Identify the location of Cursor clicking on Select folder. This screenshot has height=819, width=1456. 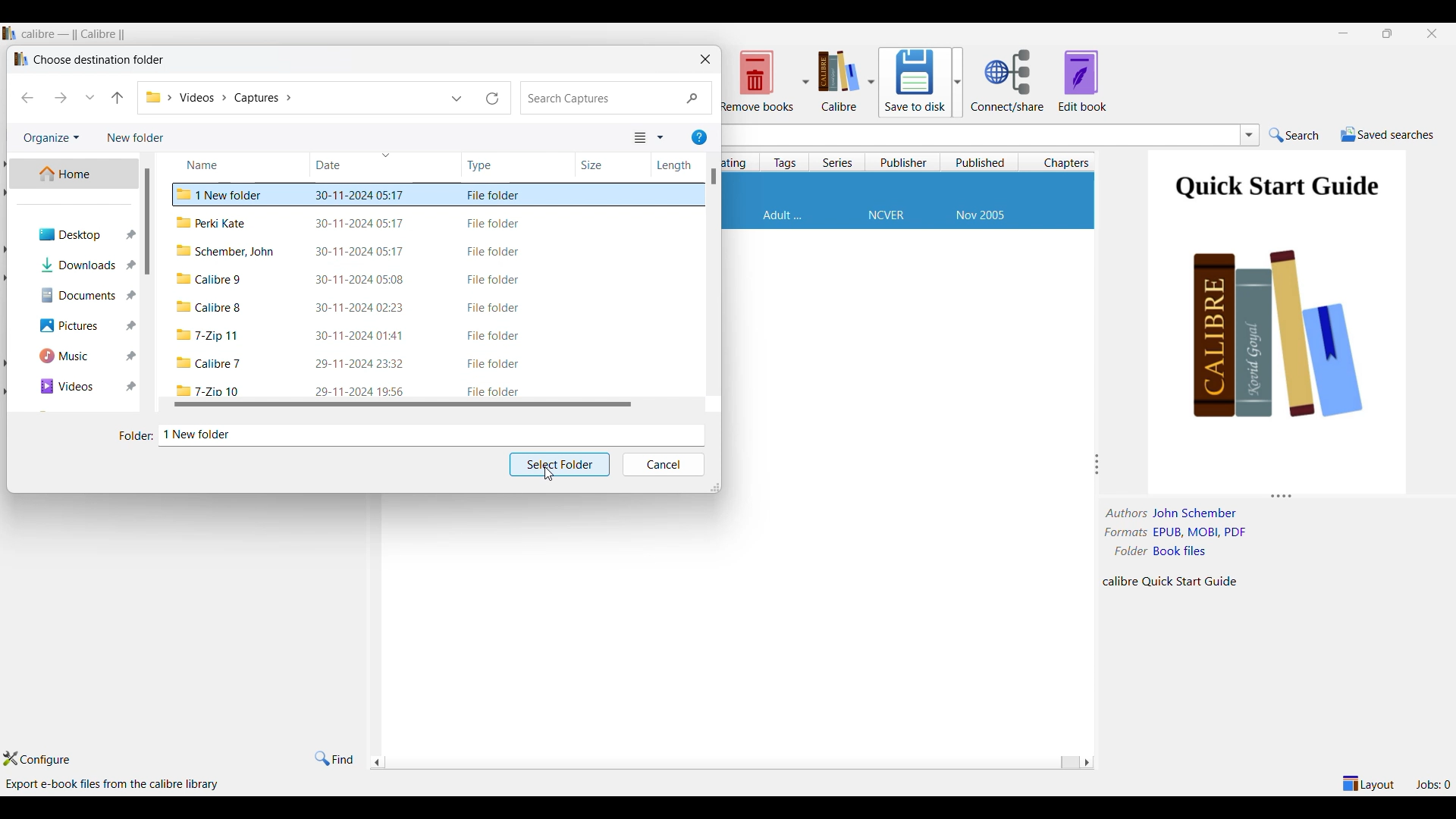
(549, 473).